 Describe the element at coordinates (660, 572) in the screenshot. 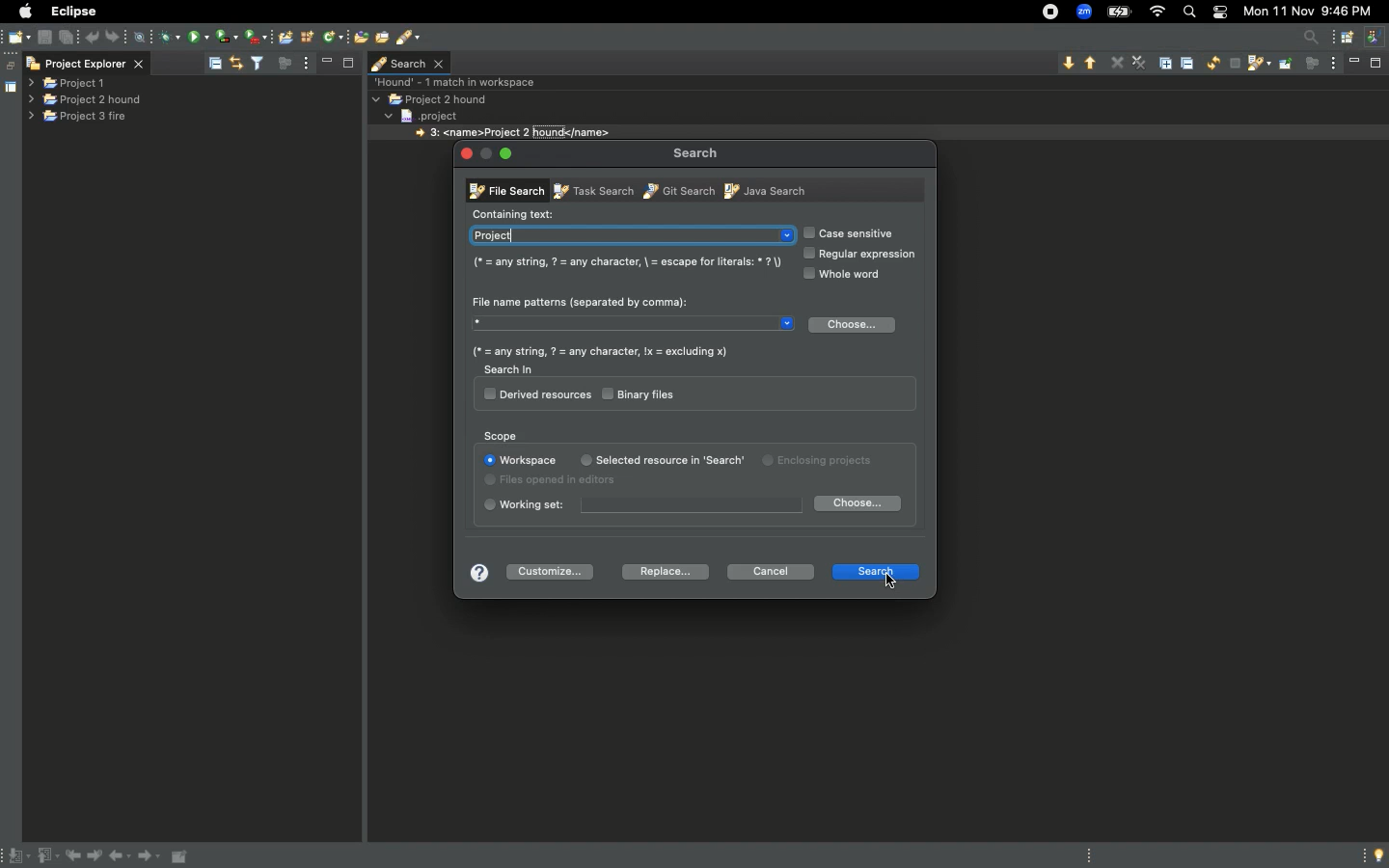

I see `Replace` at that location.